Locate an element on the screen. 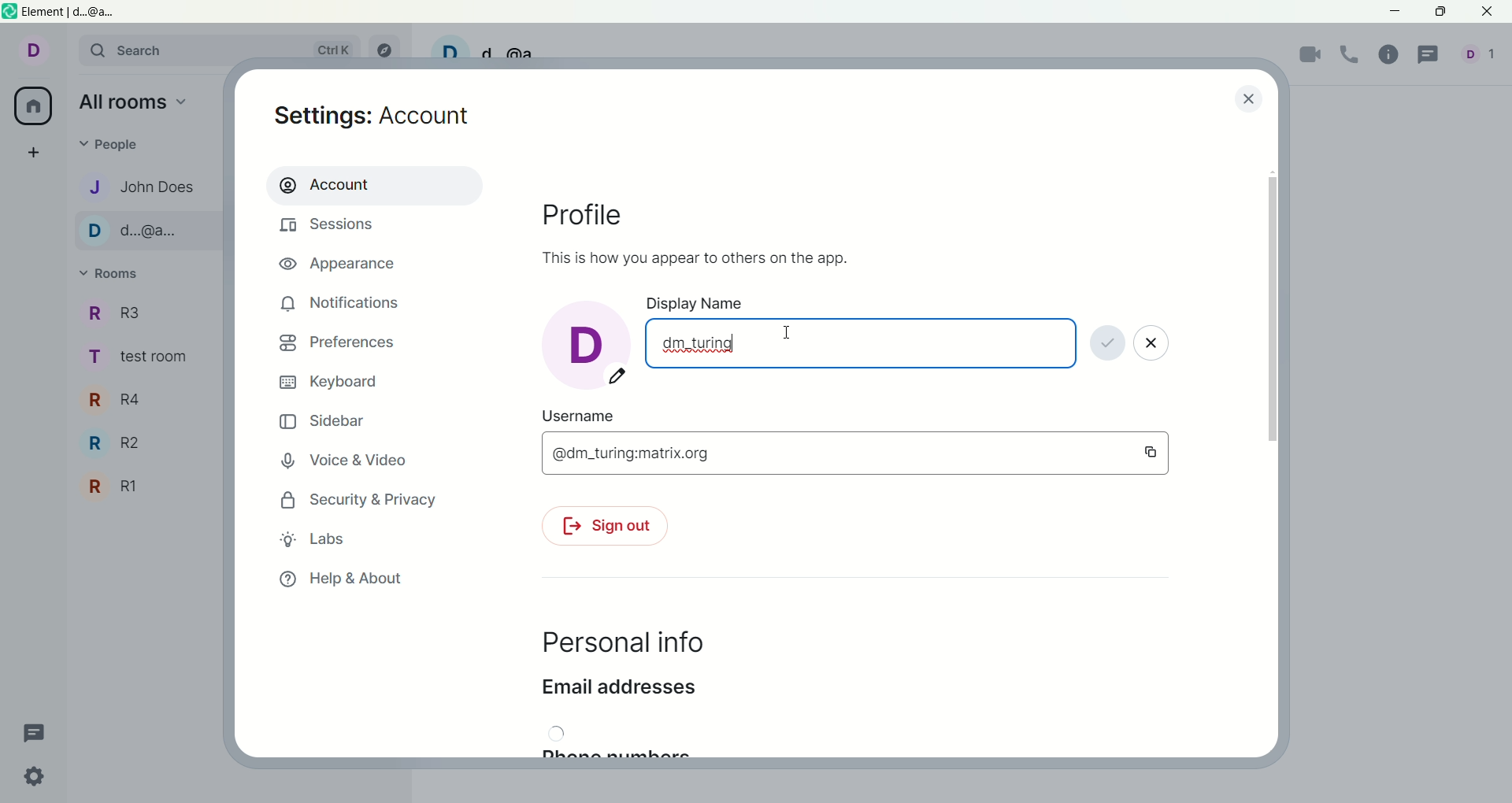 The width and height of the screenshot is (1512, 803). cursor is located at coordinates (730, 344).